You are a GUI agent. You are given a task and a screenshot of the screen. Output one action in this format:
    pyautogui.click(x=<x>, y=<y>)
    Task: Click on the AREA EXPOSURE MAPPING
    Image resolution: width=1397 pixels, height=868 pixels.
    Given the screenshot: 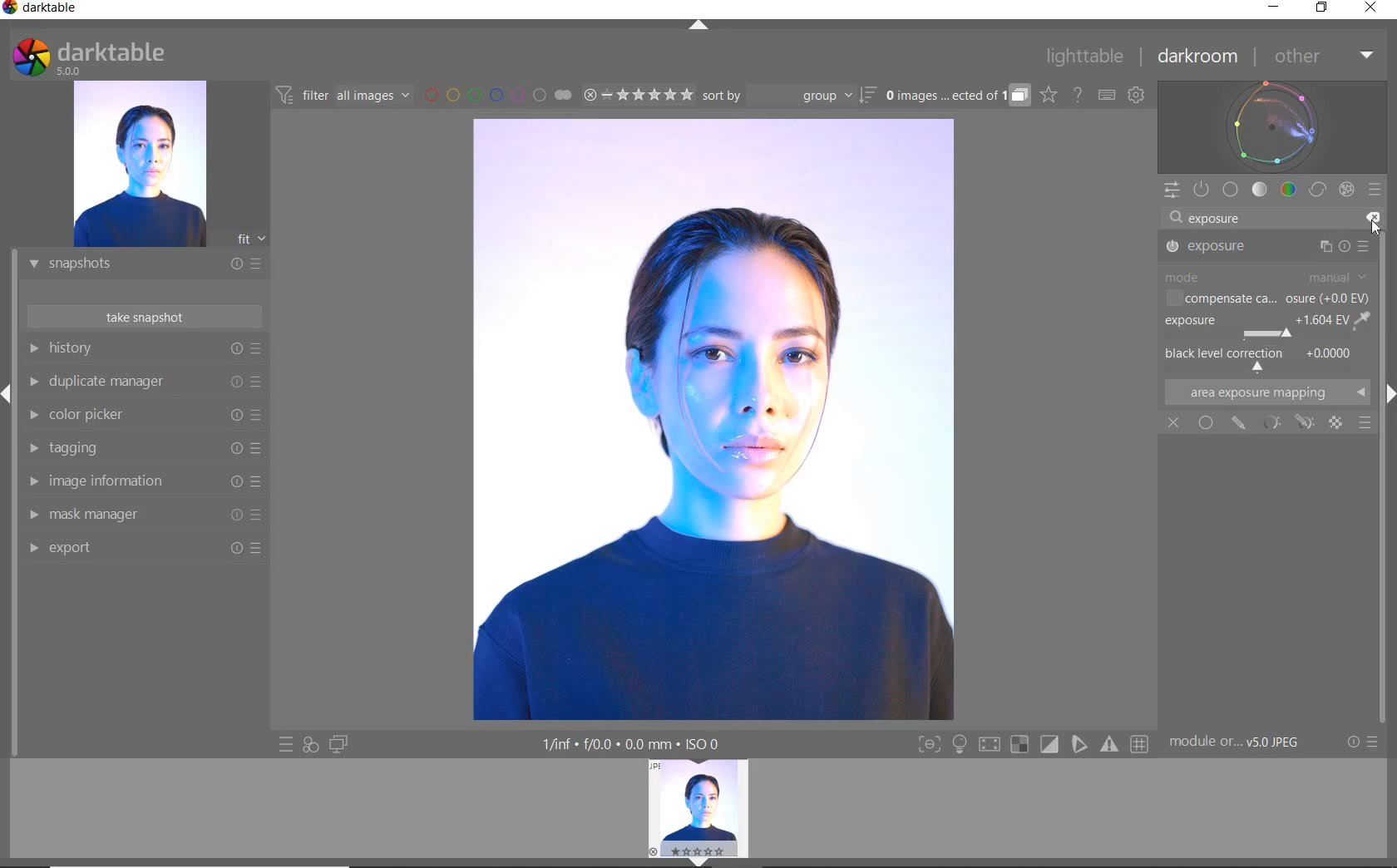 What is the action you would take?
    pyautogui.click(x=1265, y=392)
    